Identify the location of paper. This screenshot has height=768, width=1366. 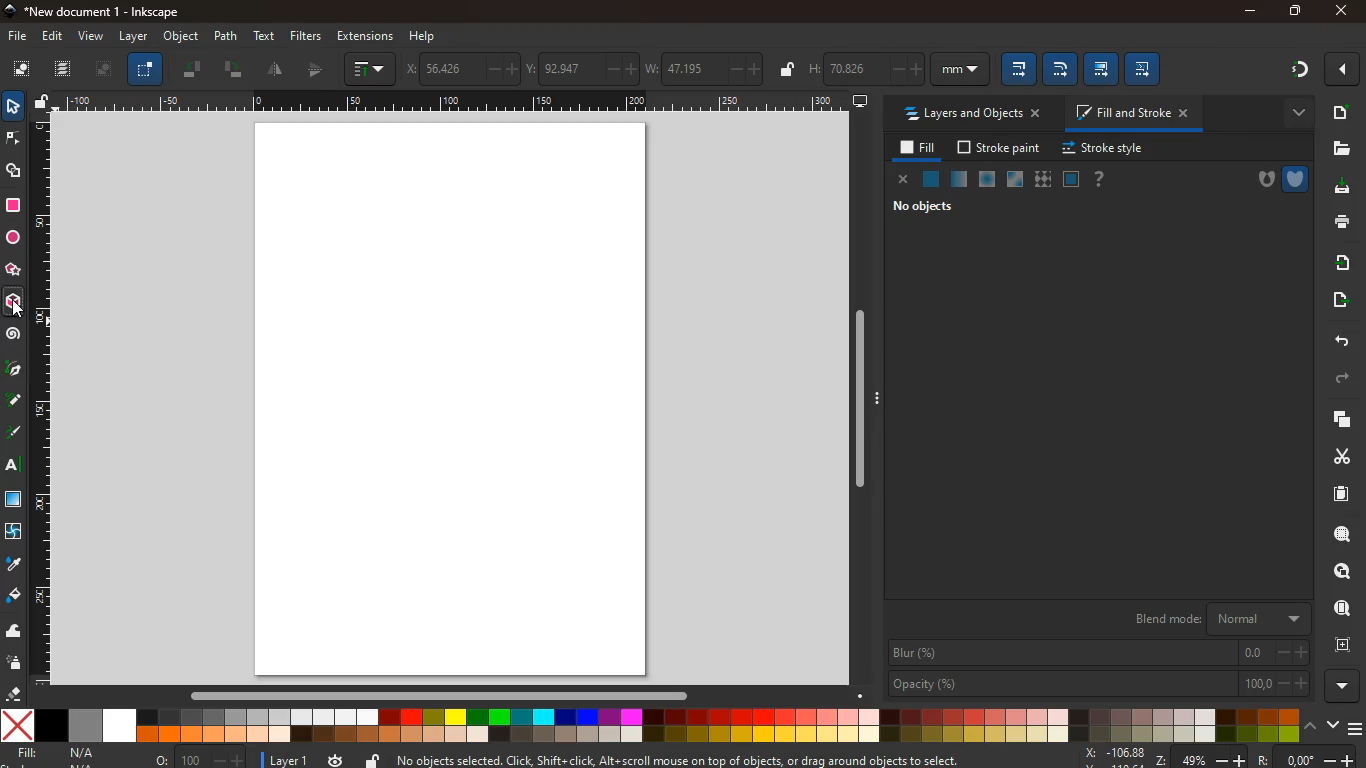
(1332, 494).